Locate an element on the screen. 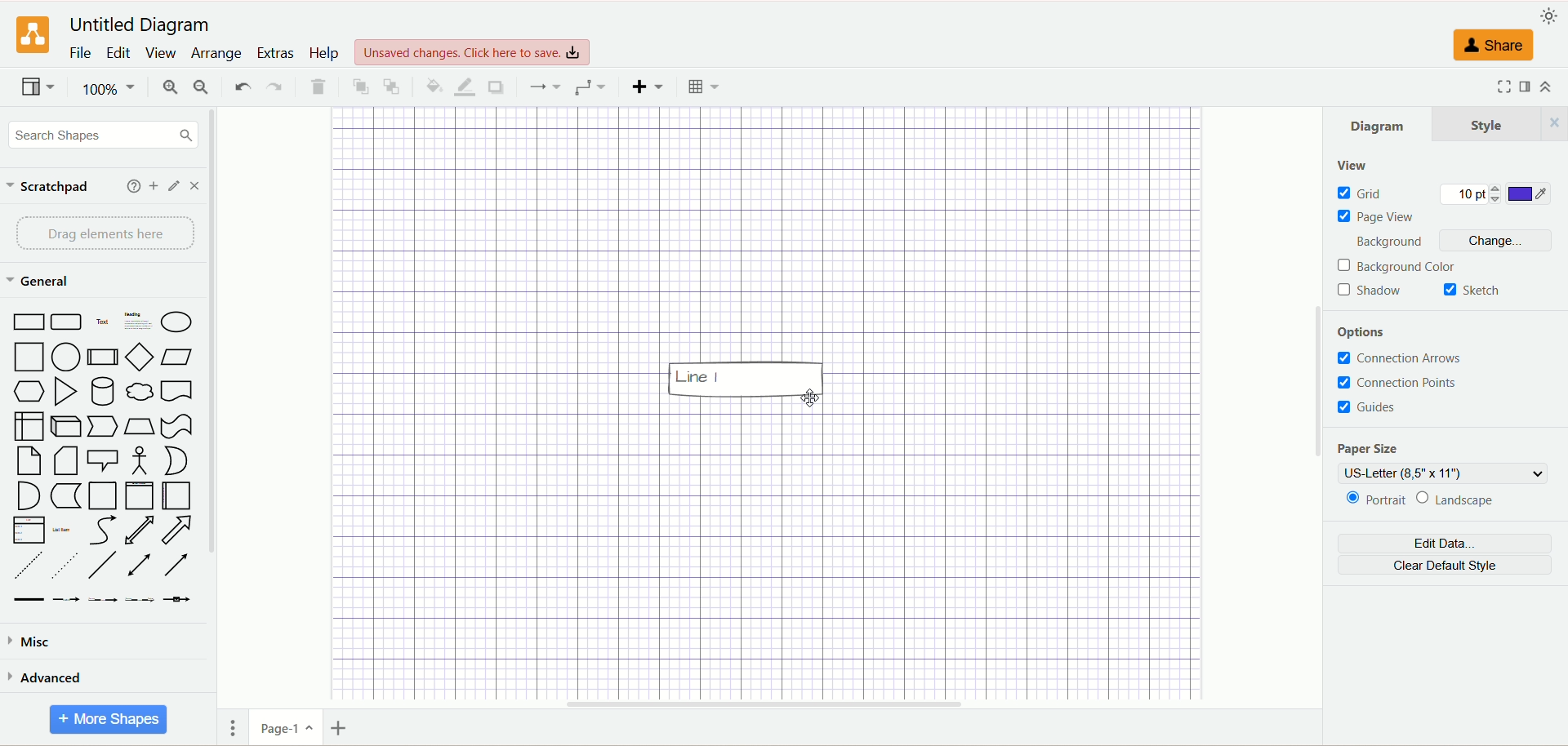 This screenshot has height=746, width=1568. search shapes is located at coordinates (99, 134).